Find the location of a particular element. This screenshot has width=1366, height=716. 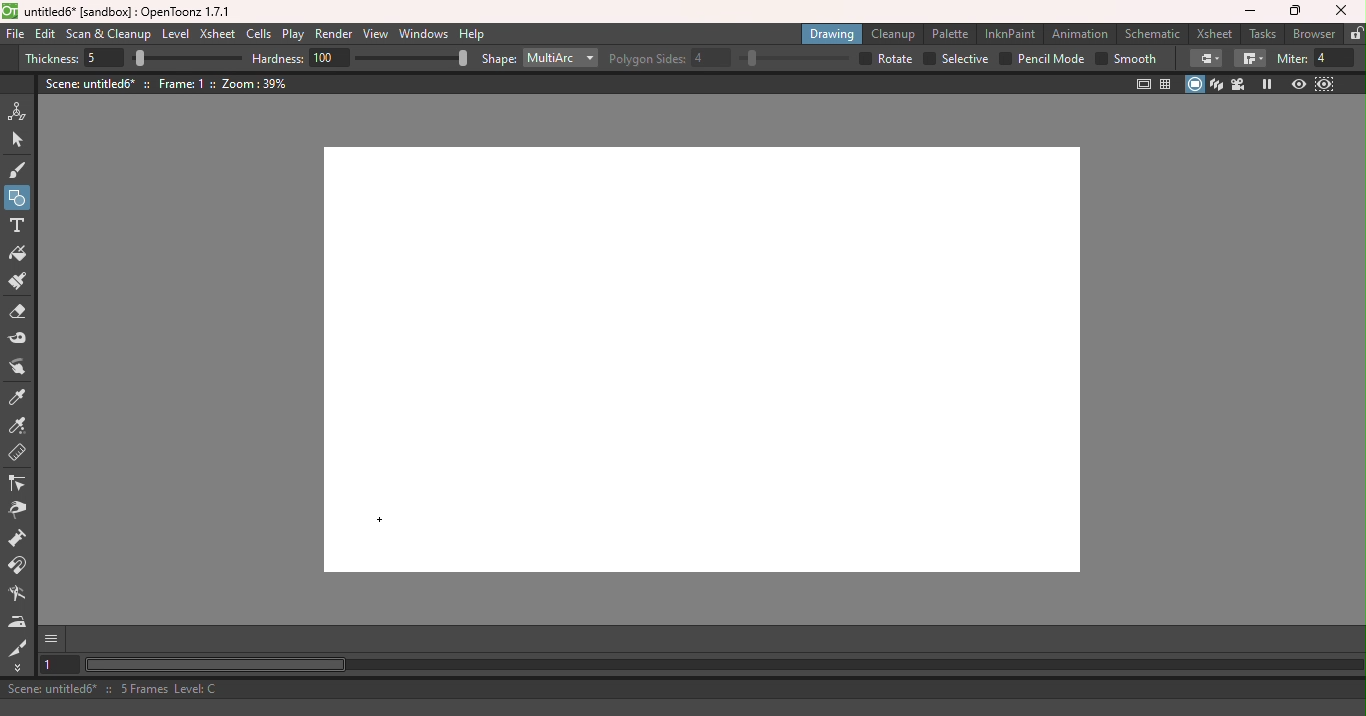

Render is located at coordinates (335, 35).